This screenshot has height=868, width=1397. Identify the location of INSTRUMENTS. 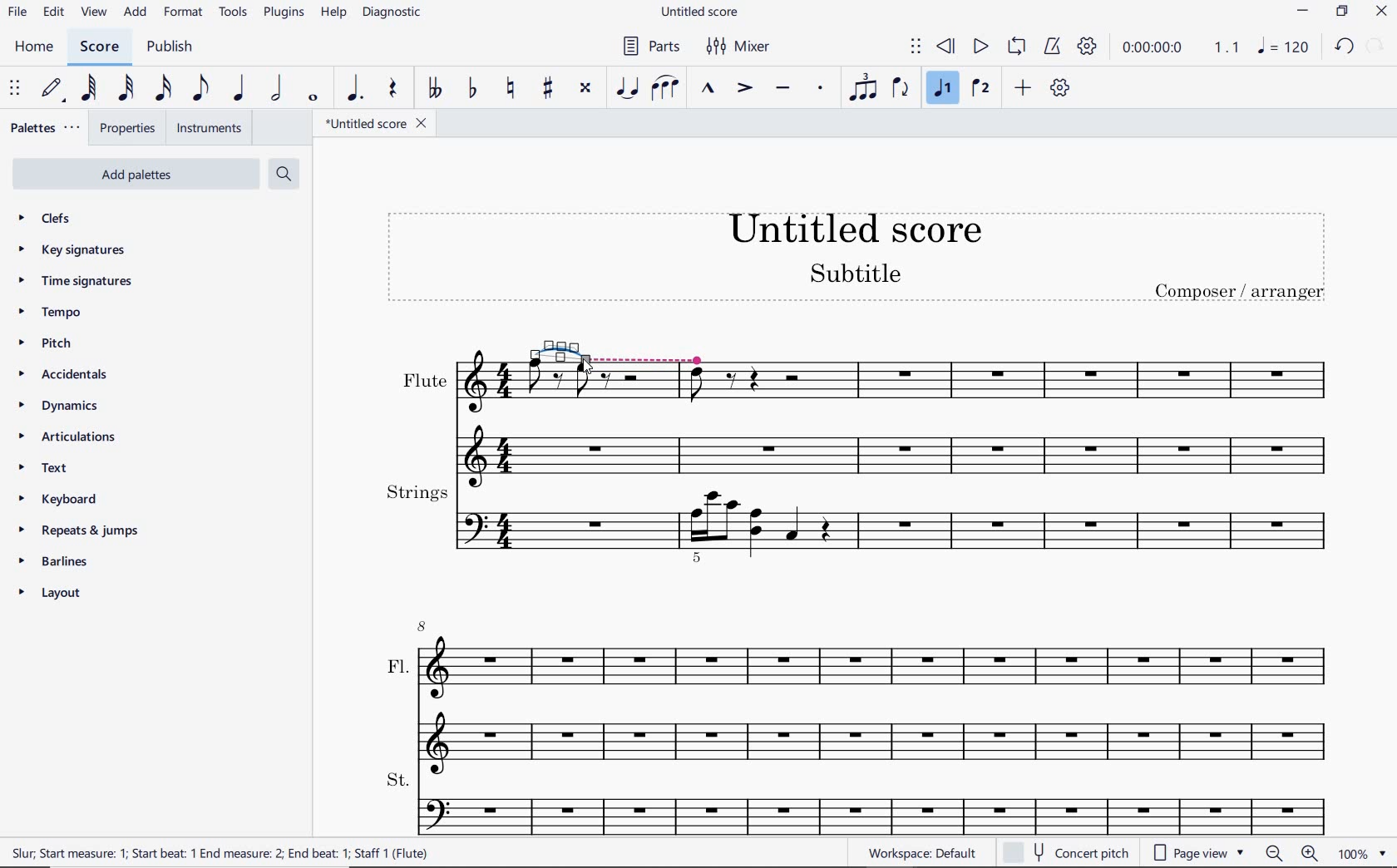
(207, 127).